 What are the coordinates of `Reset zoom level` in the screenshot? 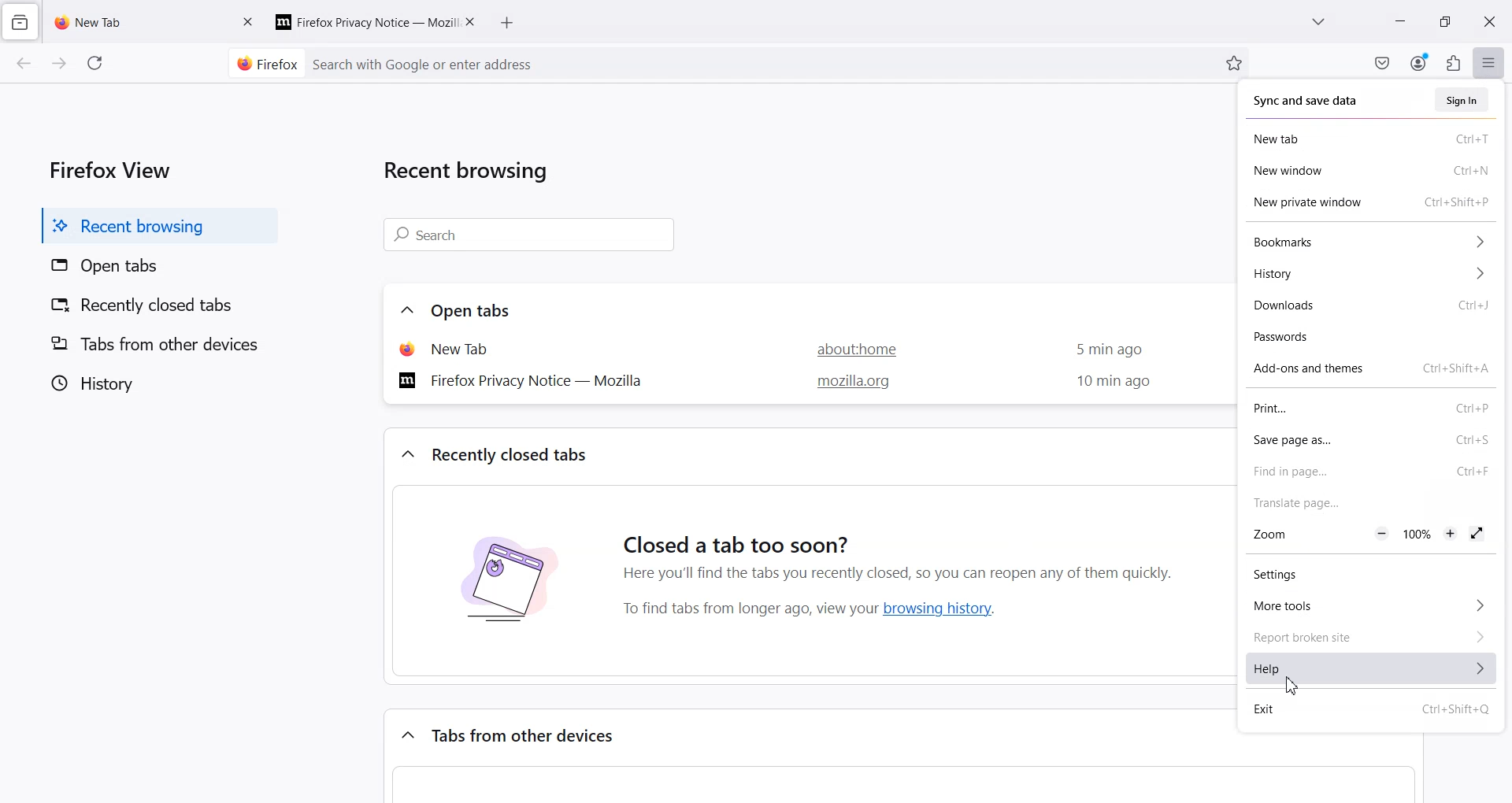 It's located at (1416, 535).